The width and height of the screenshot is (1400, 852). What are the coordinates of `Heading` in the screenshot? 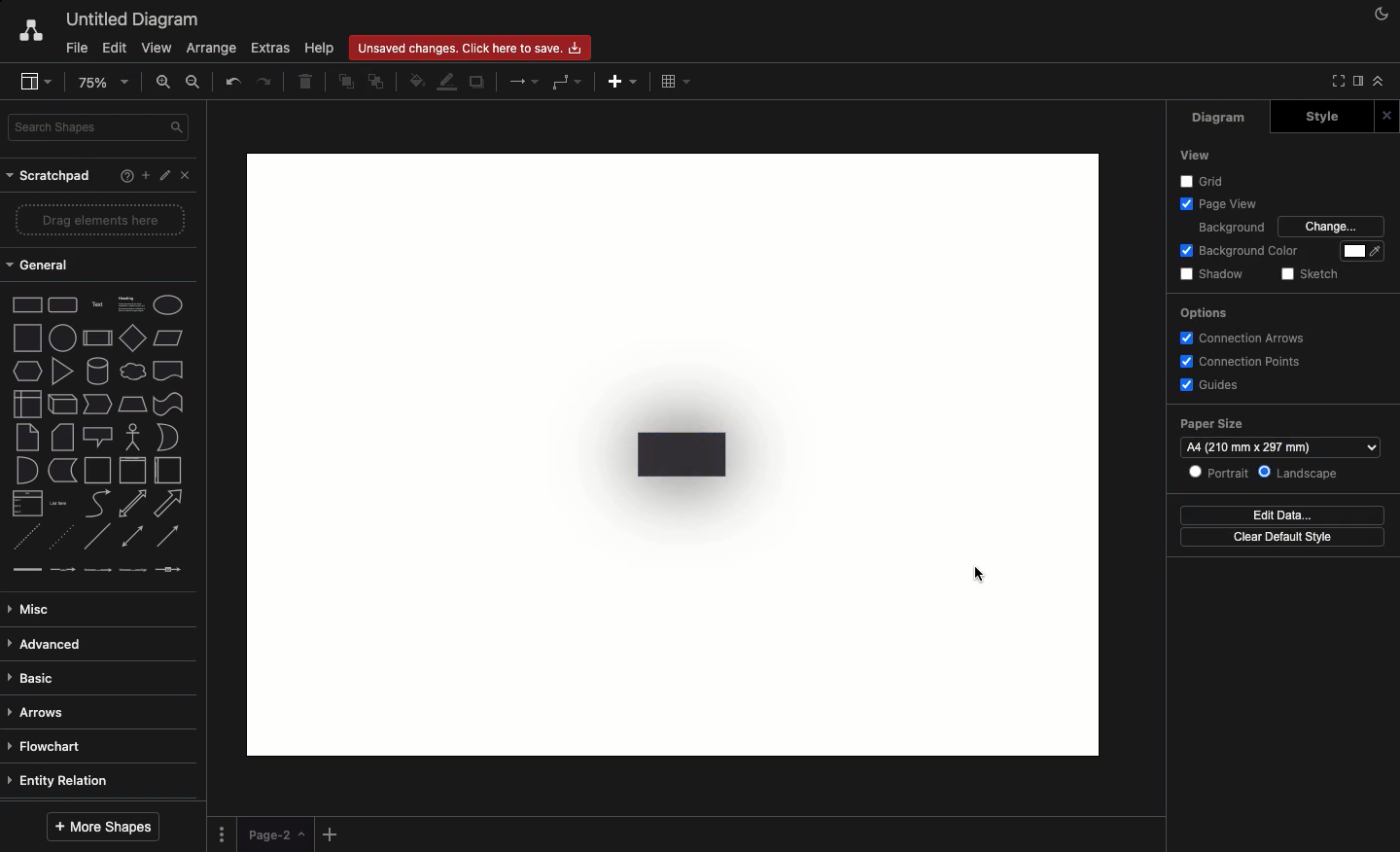 It's located at (130, 307).